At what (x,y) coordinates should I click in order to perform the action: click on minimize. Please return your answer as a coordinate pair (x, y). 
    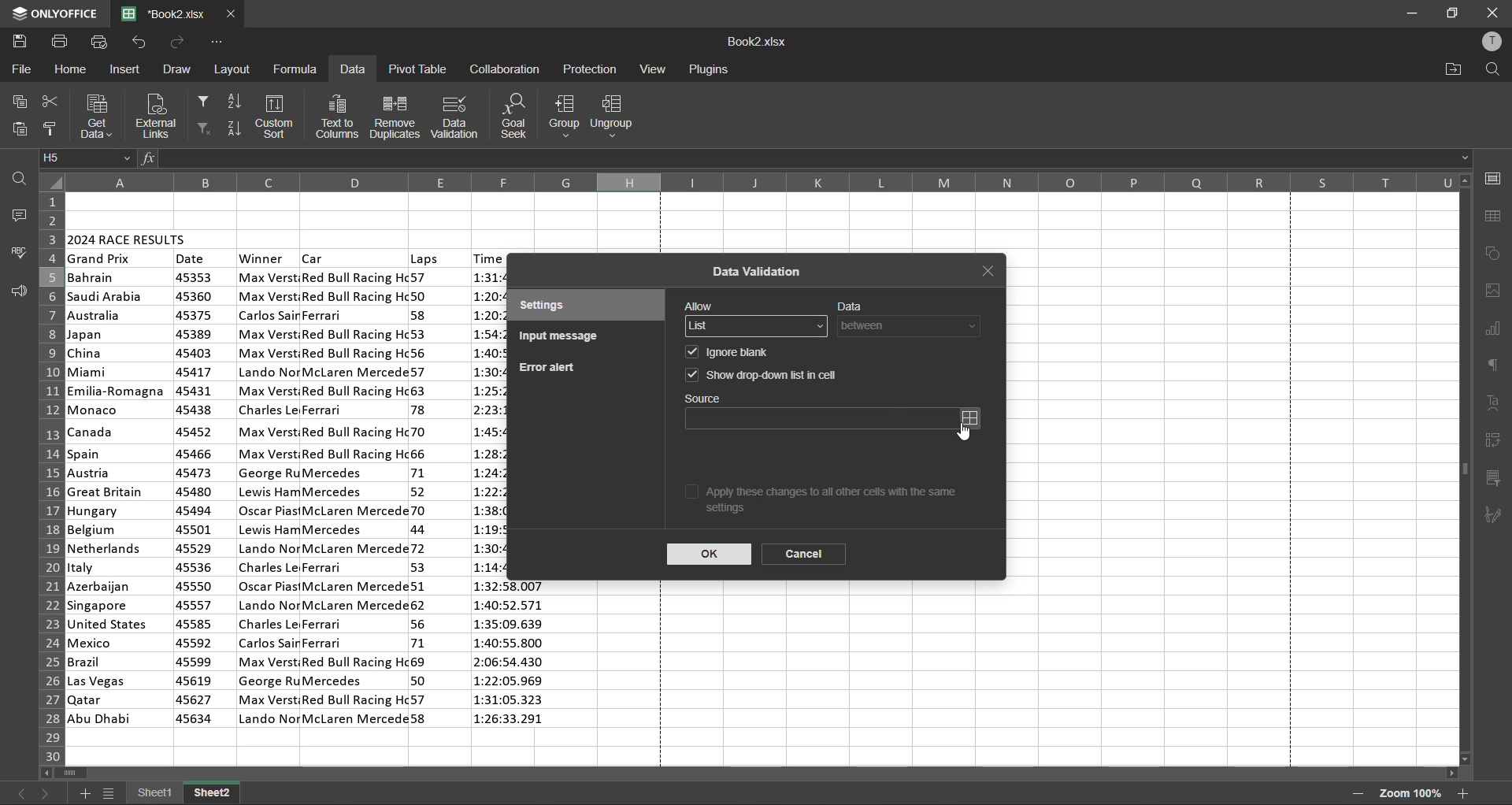
    Looking at the image, I should click on (1411, 14).